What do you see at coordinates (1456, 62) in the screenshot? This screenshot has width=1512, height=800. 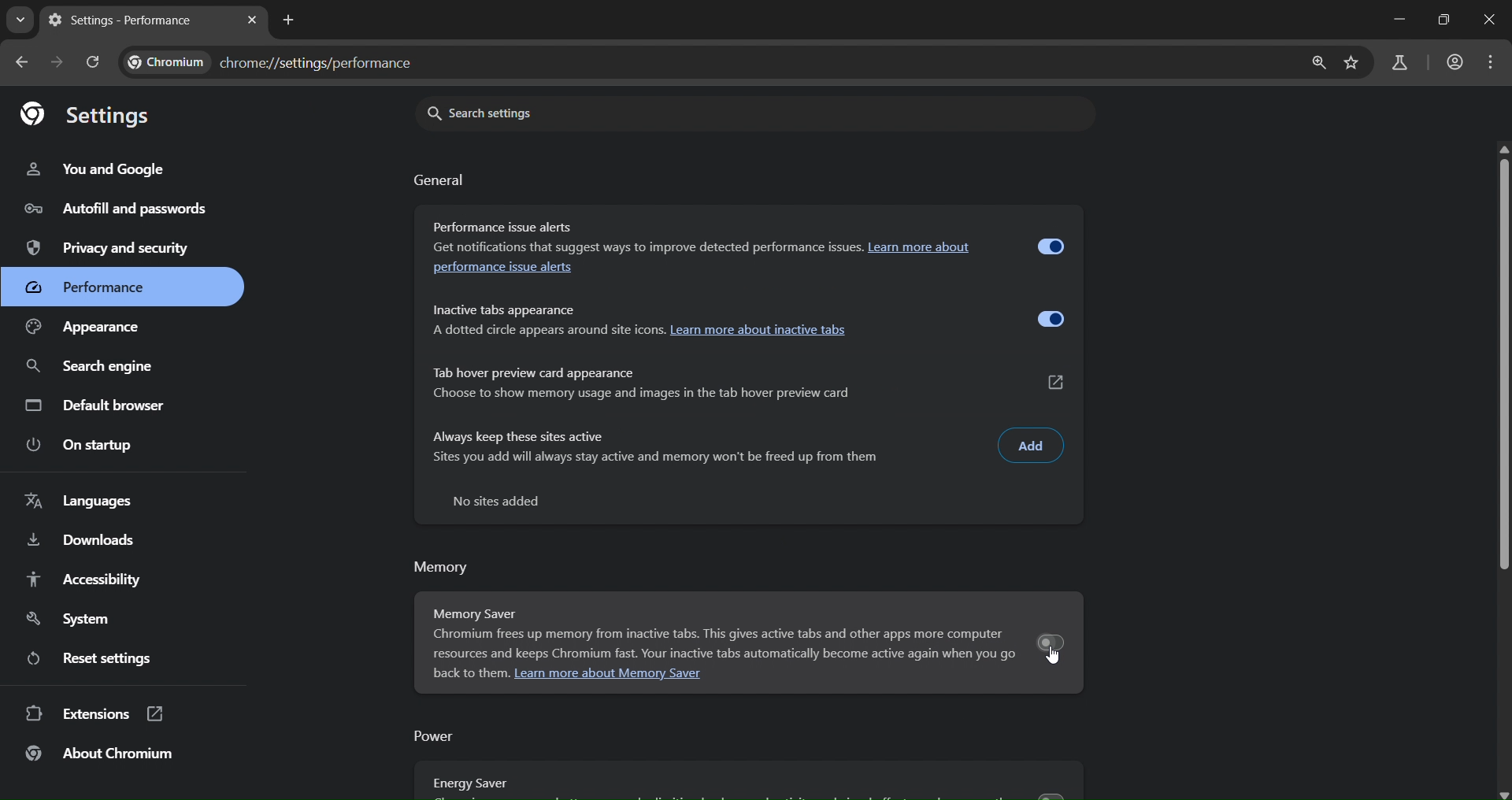 I see `account` at bounding box center [1456, 62].